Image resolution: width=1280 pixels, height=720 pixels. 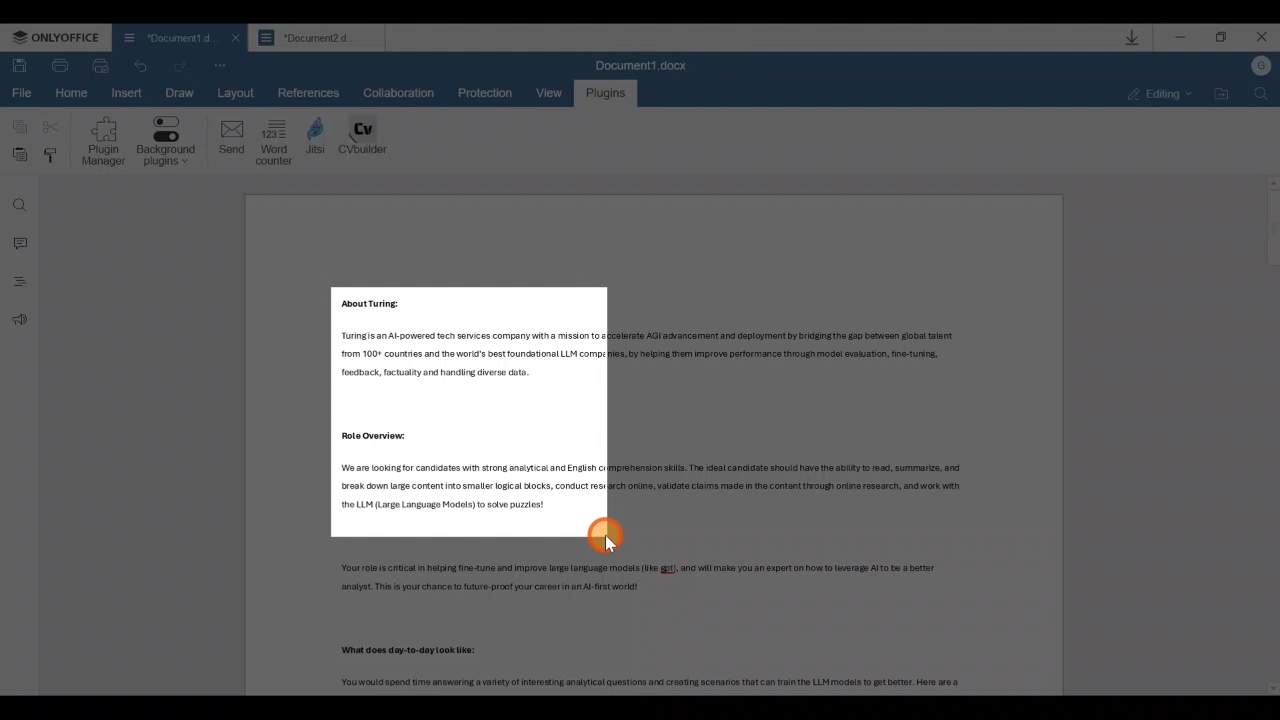 What do you see at coordinates (492, 93) in the screenshot?
I see `Protection` at bounding box center [492, 93].